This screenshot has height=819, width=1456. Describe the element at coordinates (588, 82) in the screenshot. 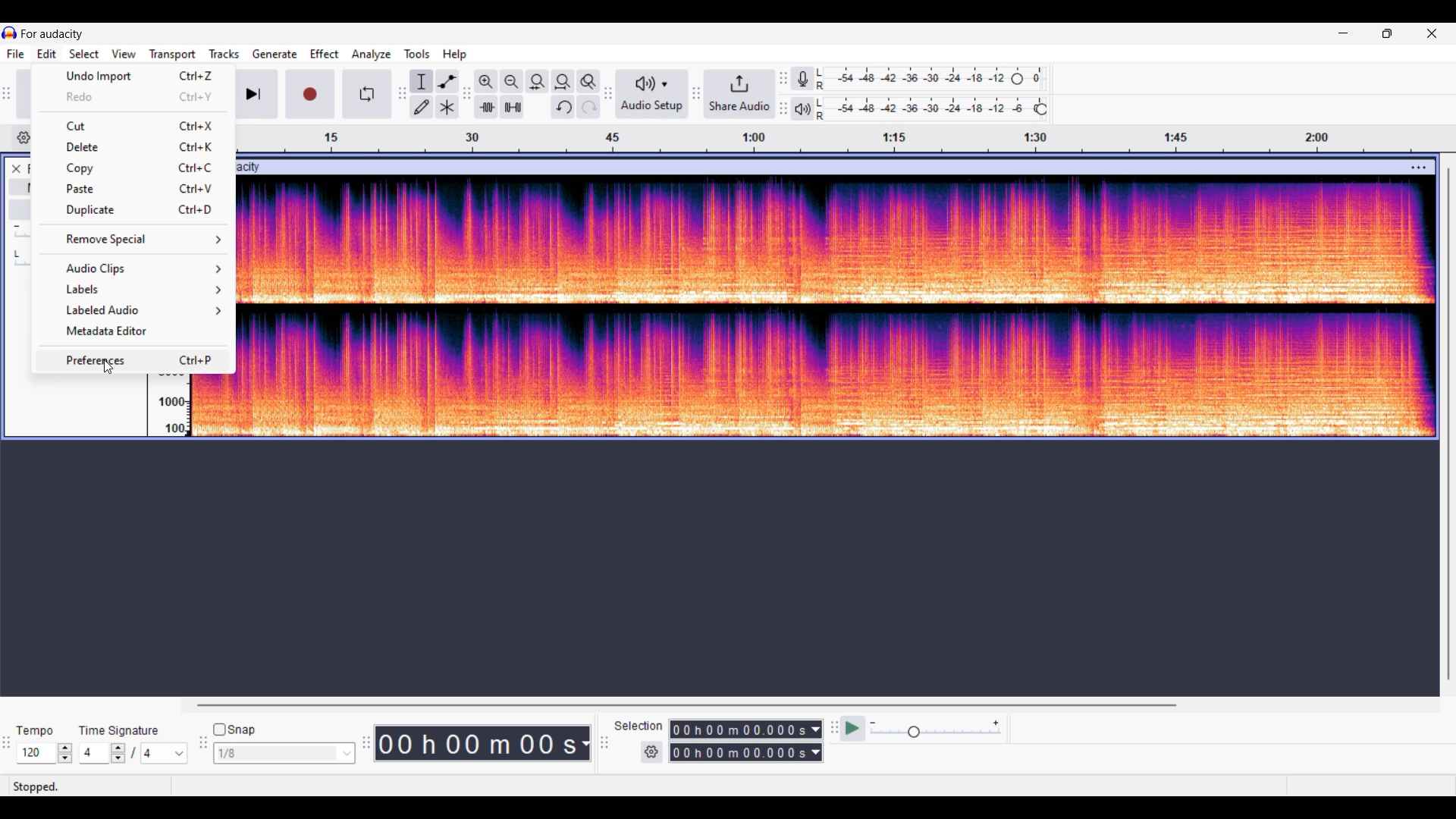

I see `Zoom toggle` at that location.